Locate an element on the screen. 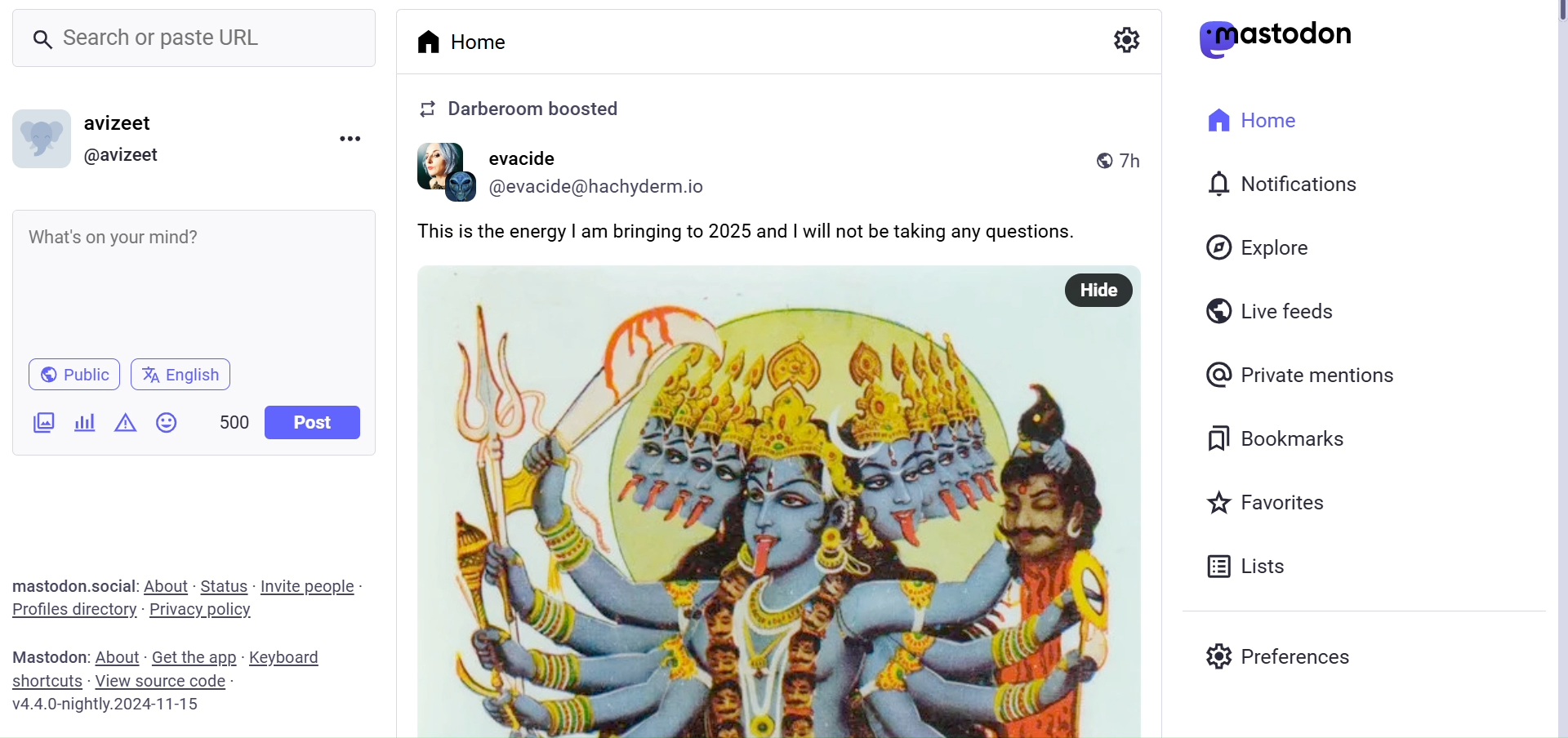 This screenshot has width=1568, height=738. Private mentions is located at coordinates (1302, 374).